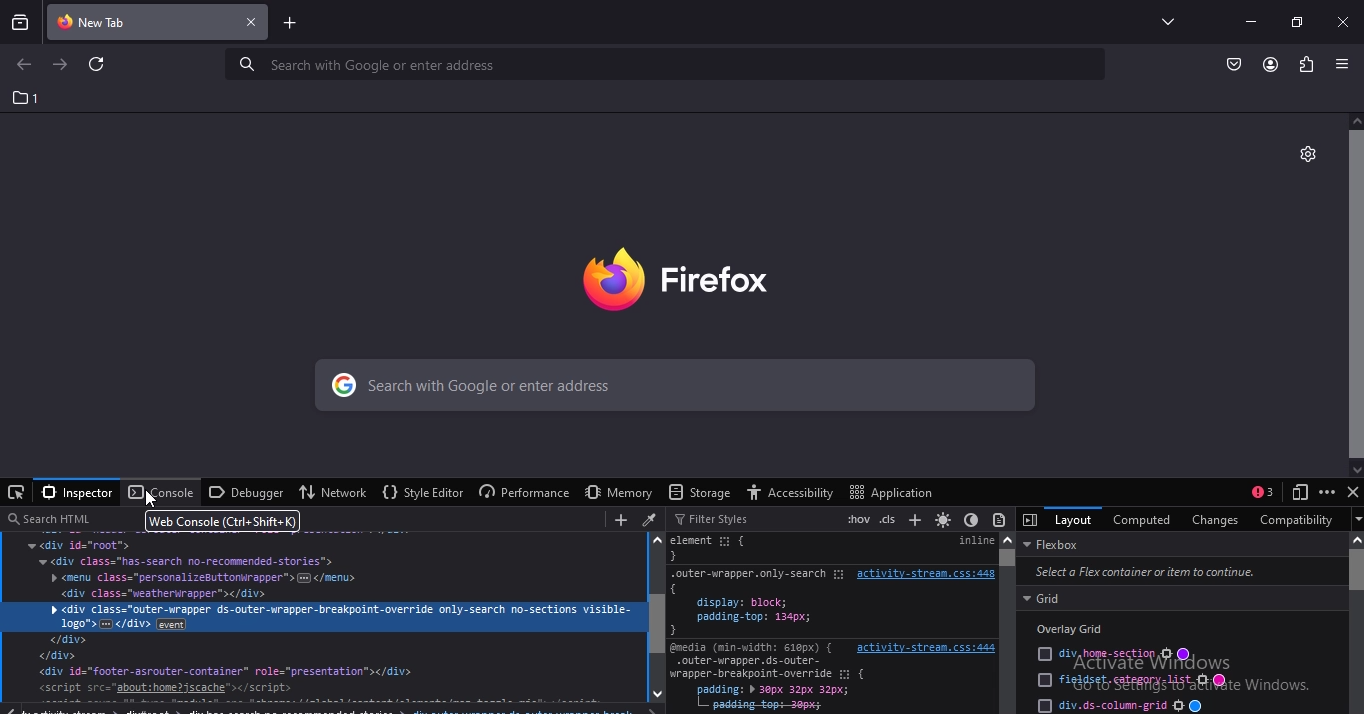 This screenshot has width=1364, height=714. I want to click on current tab, so click(126, 21).